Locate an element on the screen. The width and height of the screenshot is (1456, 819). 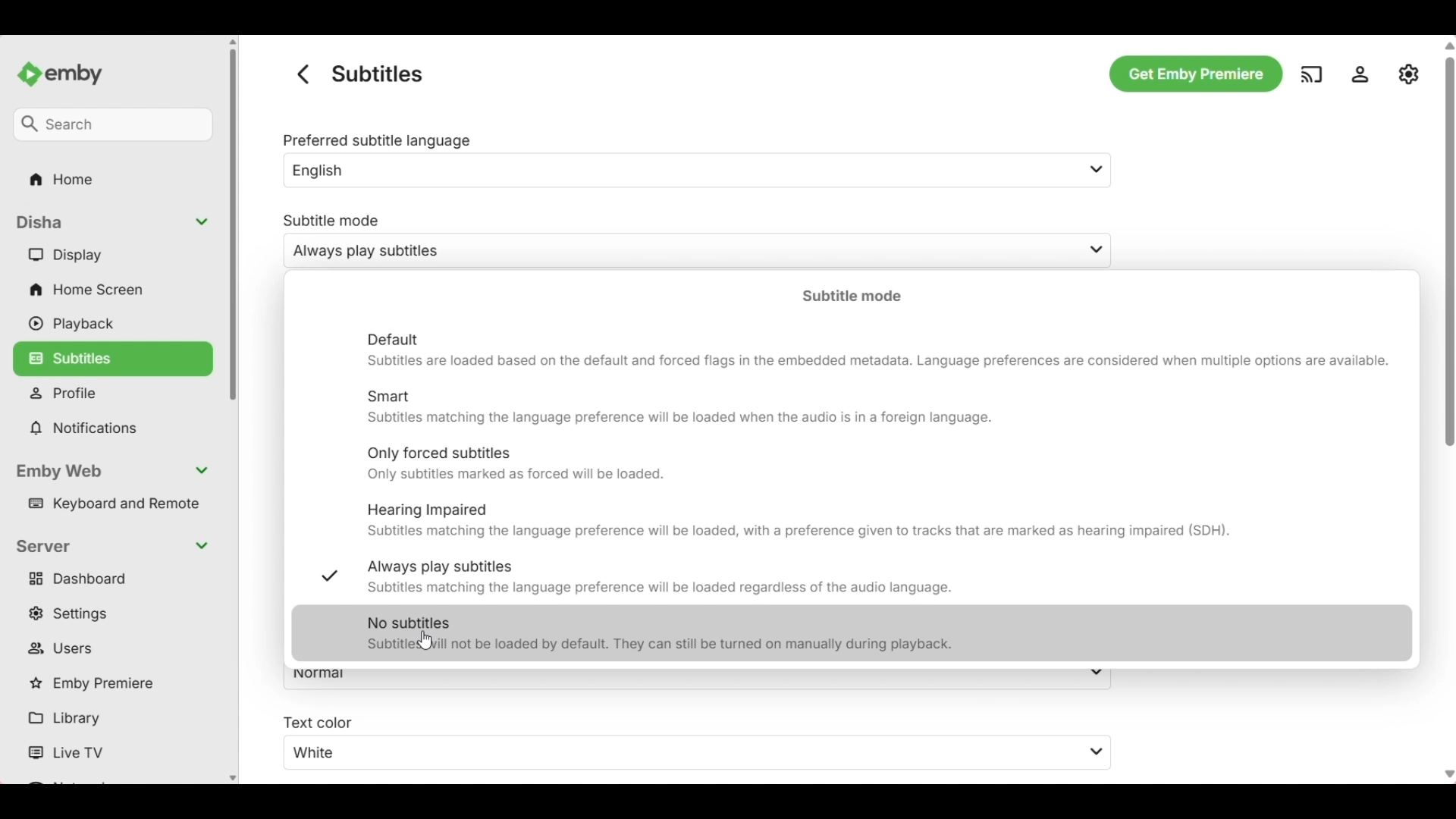
Set preffered language is located at coordinates (678, 160).